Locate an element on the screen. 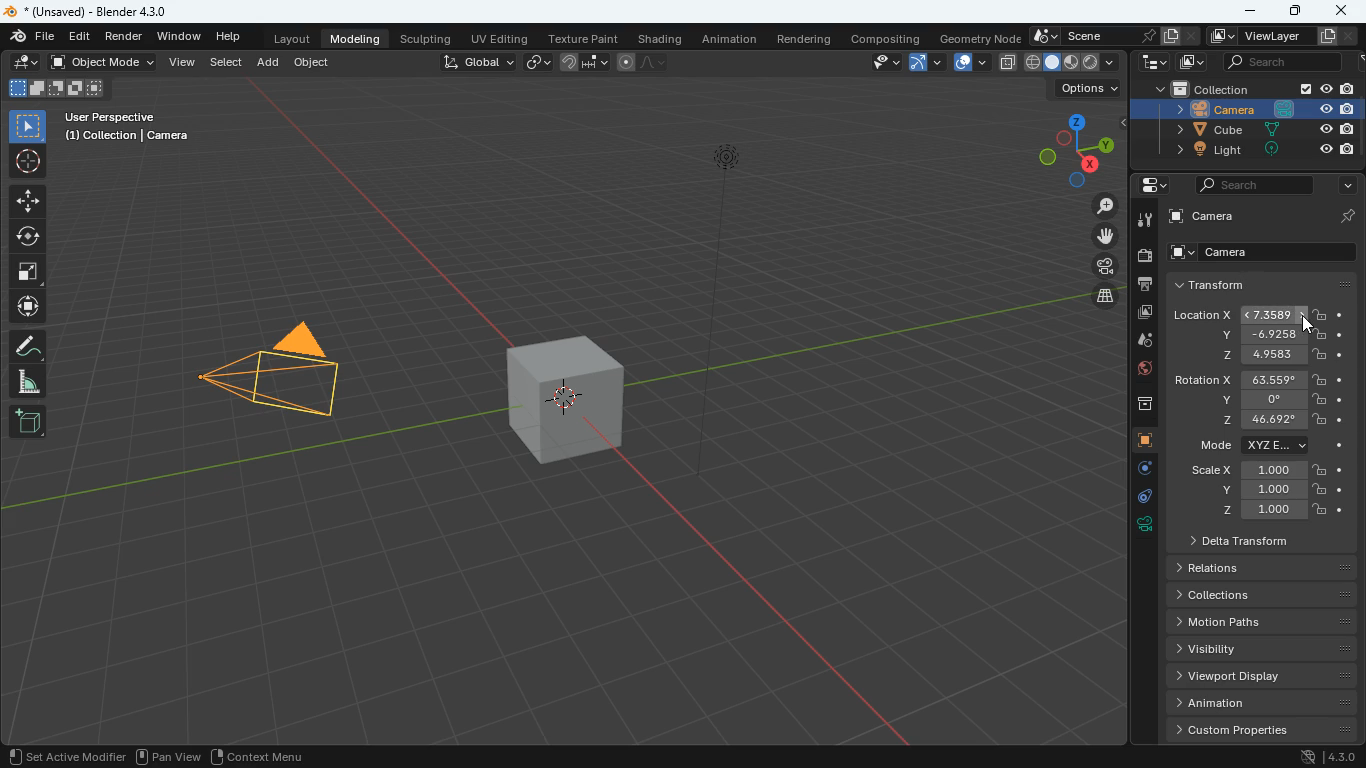  camera is located at coordinates (281, 382).